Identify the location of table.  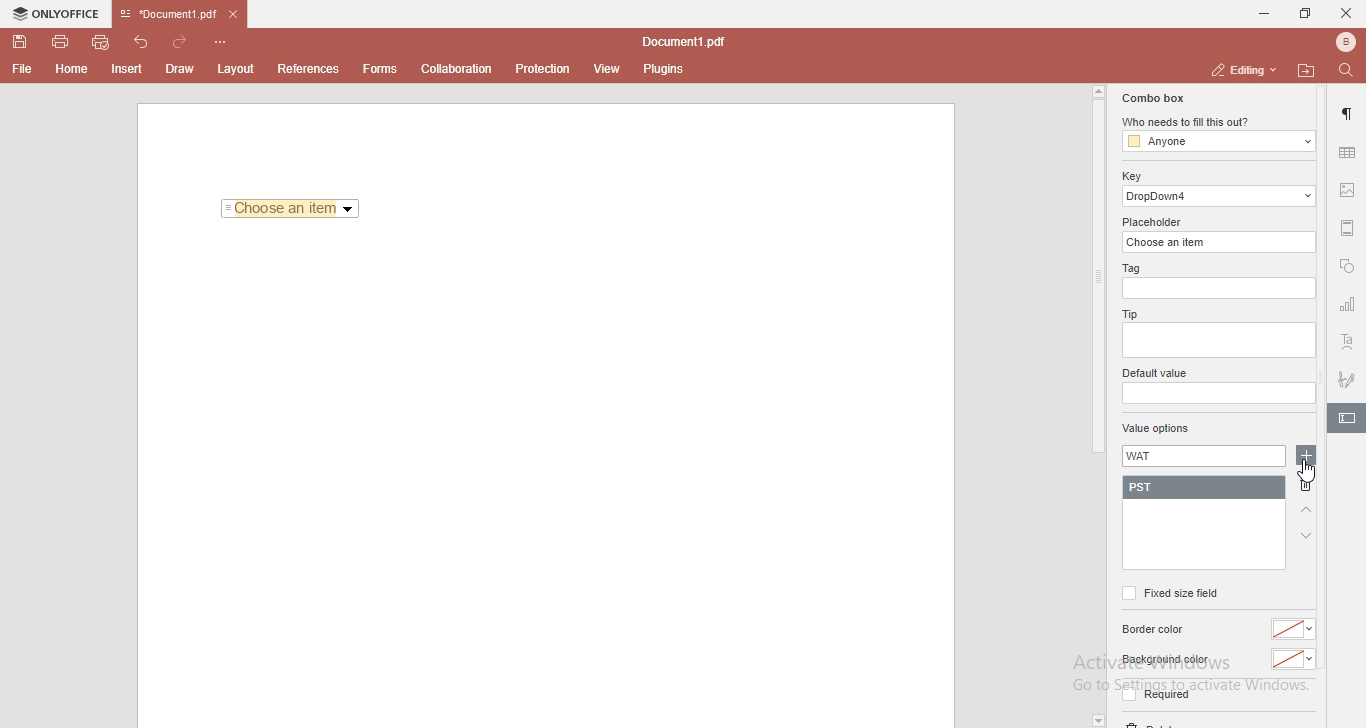
(1347, 152).